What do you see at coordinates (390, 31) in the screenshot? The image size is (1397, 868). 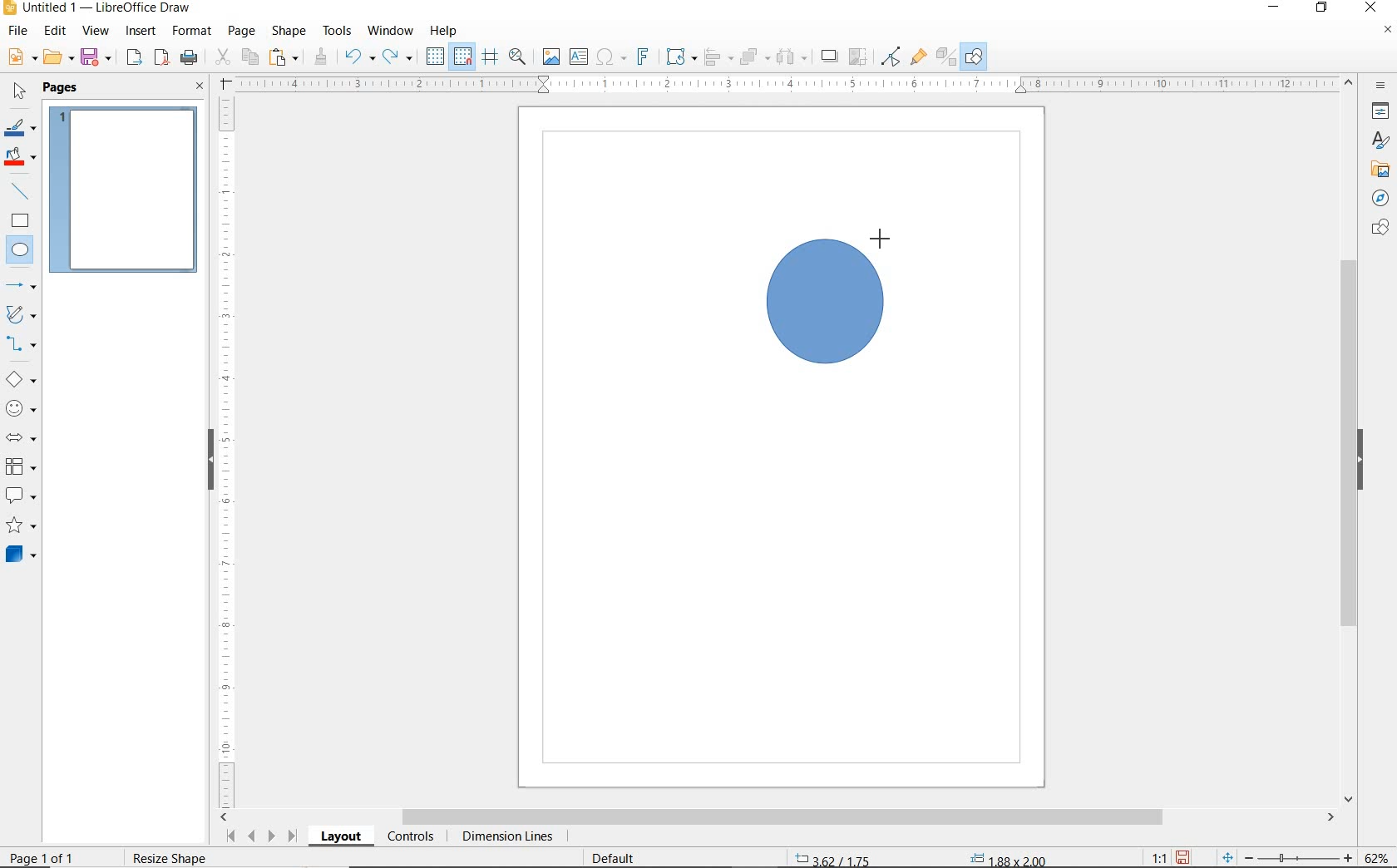 I see `WINDOW` at bounding box center [390, 31].